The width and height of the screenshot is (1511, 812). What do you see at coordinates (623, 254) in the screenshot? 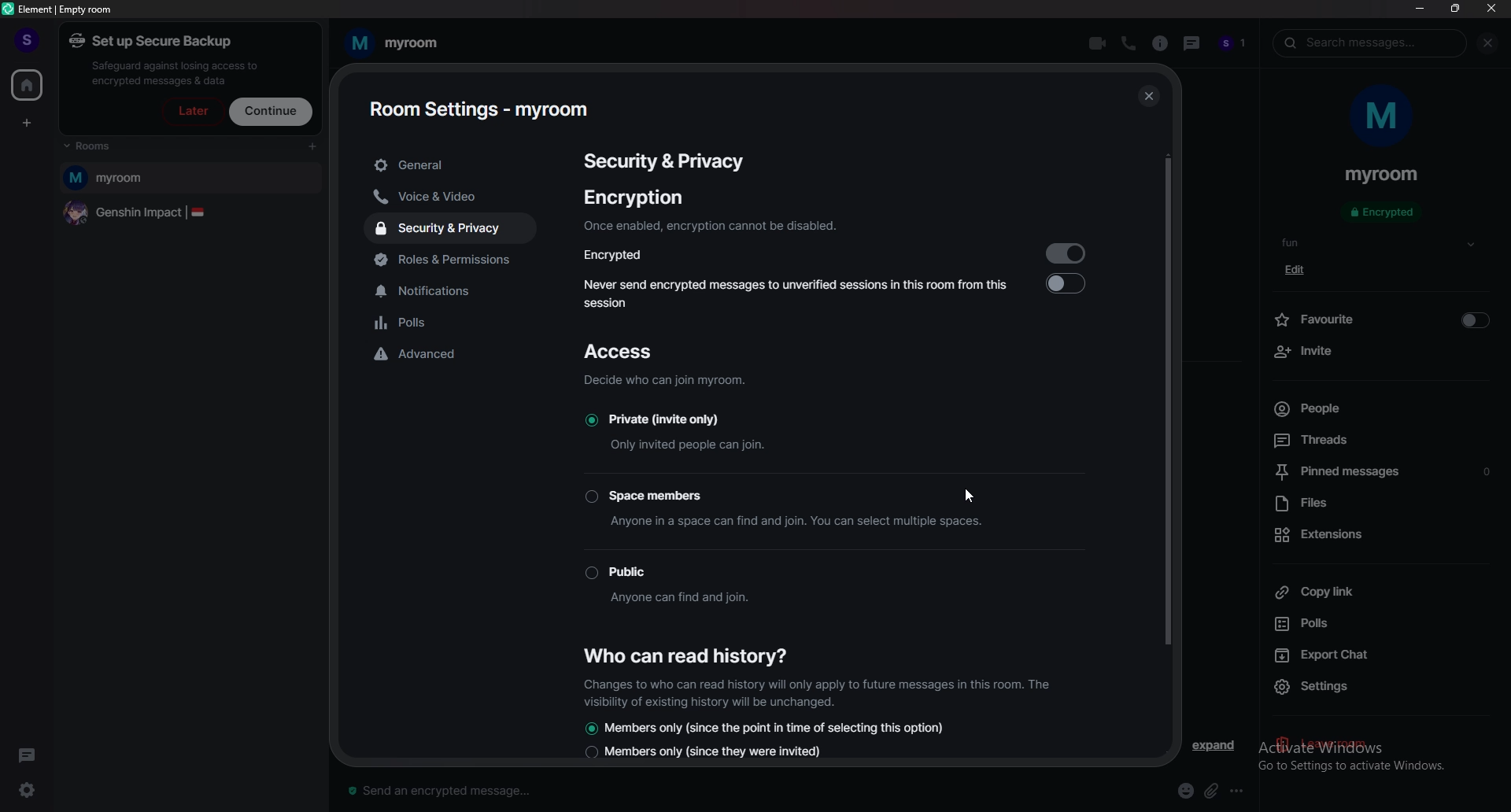
I see `encrypted` at bounding box center [623, 254].